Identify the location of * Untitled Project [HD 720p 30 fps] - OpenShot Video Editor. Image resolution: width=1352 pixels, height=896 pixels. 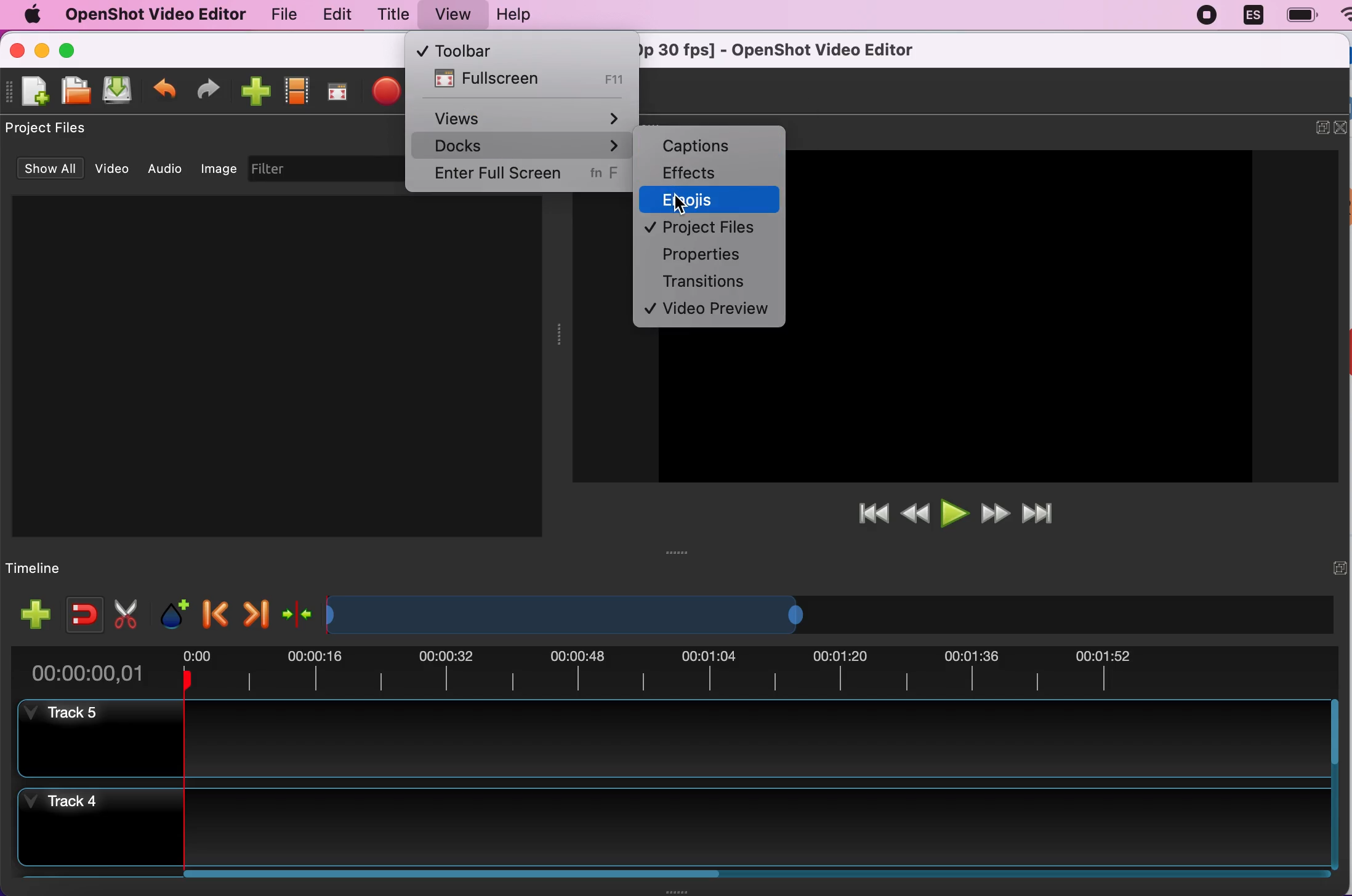
(792, 49).